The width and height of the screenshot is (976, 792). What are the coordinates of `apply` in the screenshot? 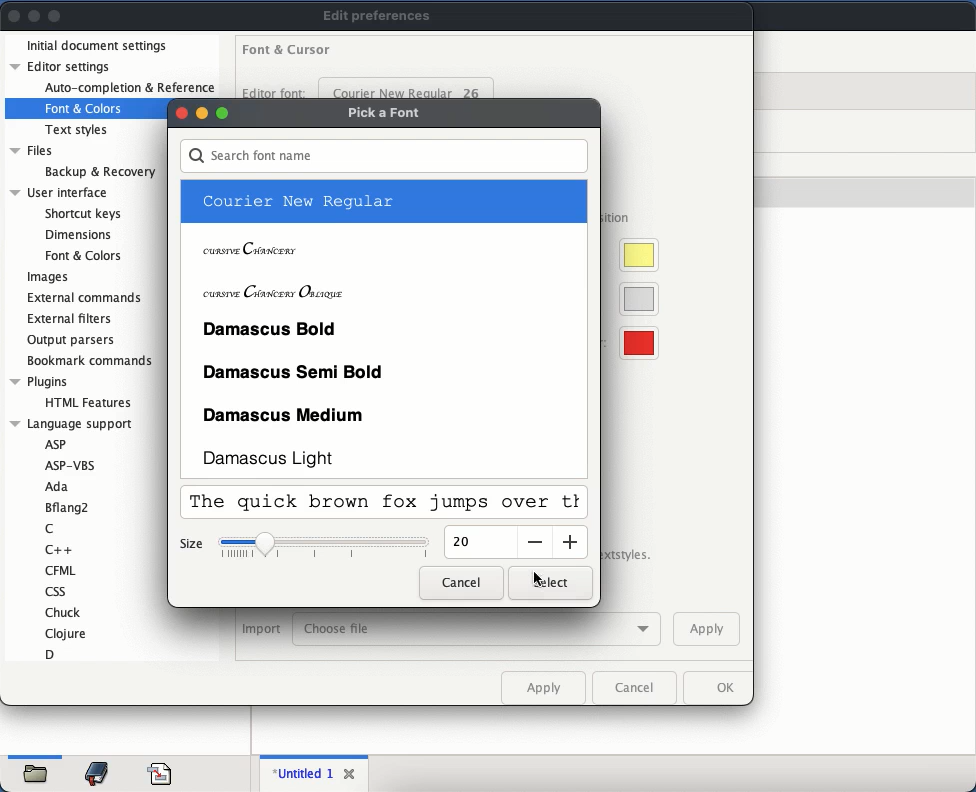 It's located at (545, 687).